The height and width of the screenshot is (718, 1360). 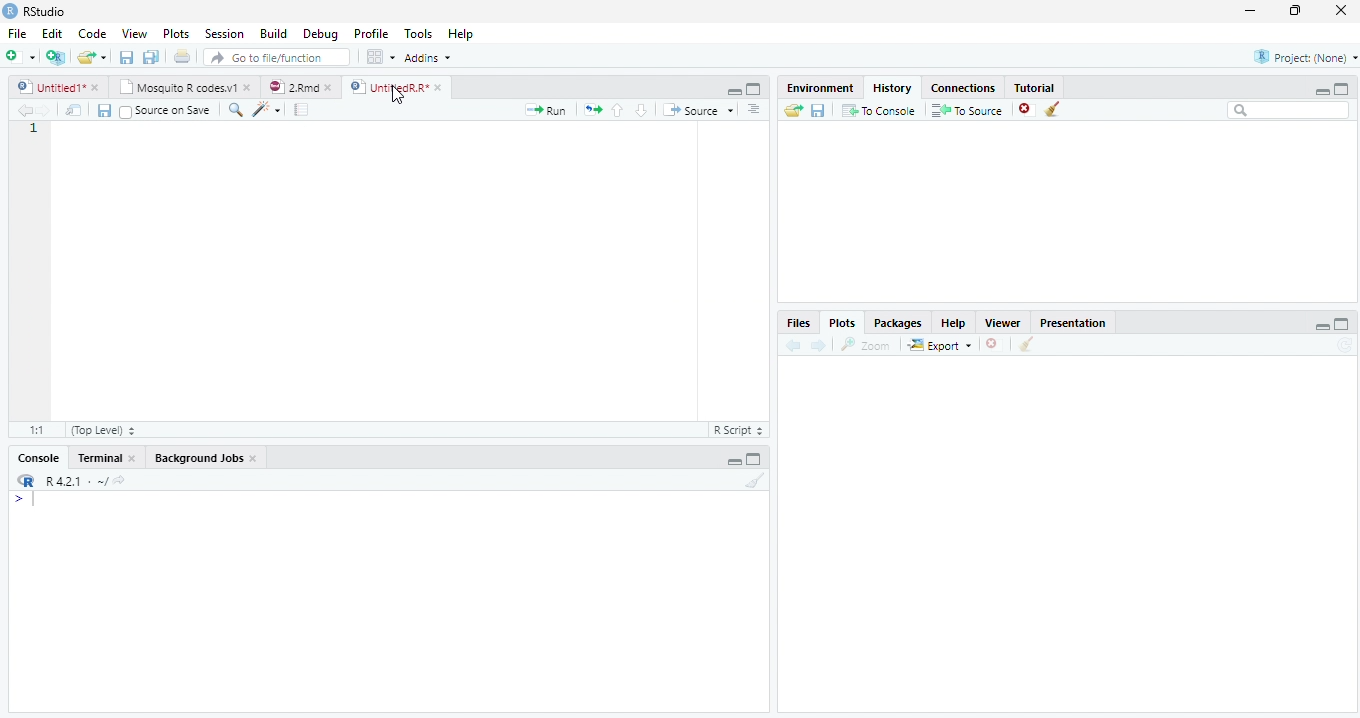 I want to click on Run, so click(x=552, y=113).